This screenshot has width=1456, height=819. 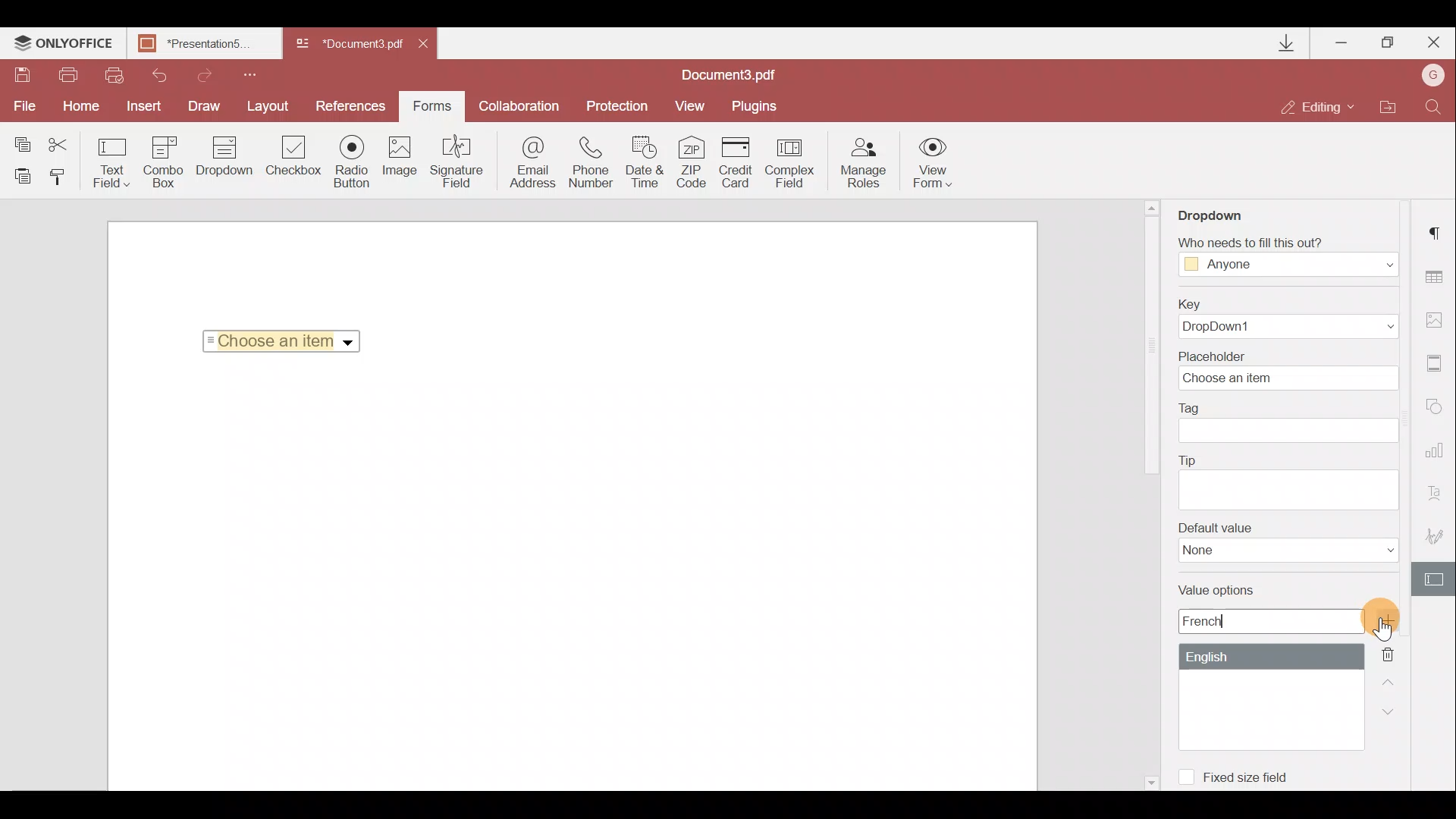 What do you see at coordinates (533, 165) in the screenshot?
I see `Email address` at bounding box center [533, 165].